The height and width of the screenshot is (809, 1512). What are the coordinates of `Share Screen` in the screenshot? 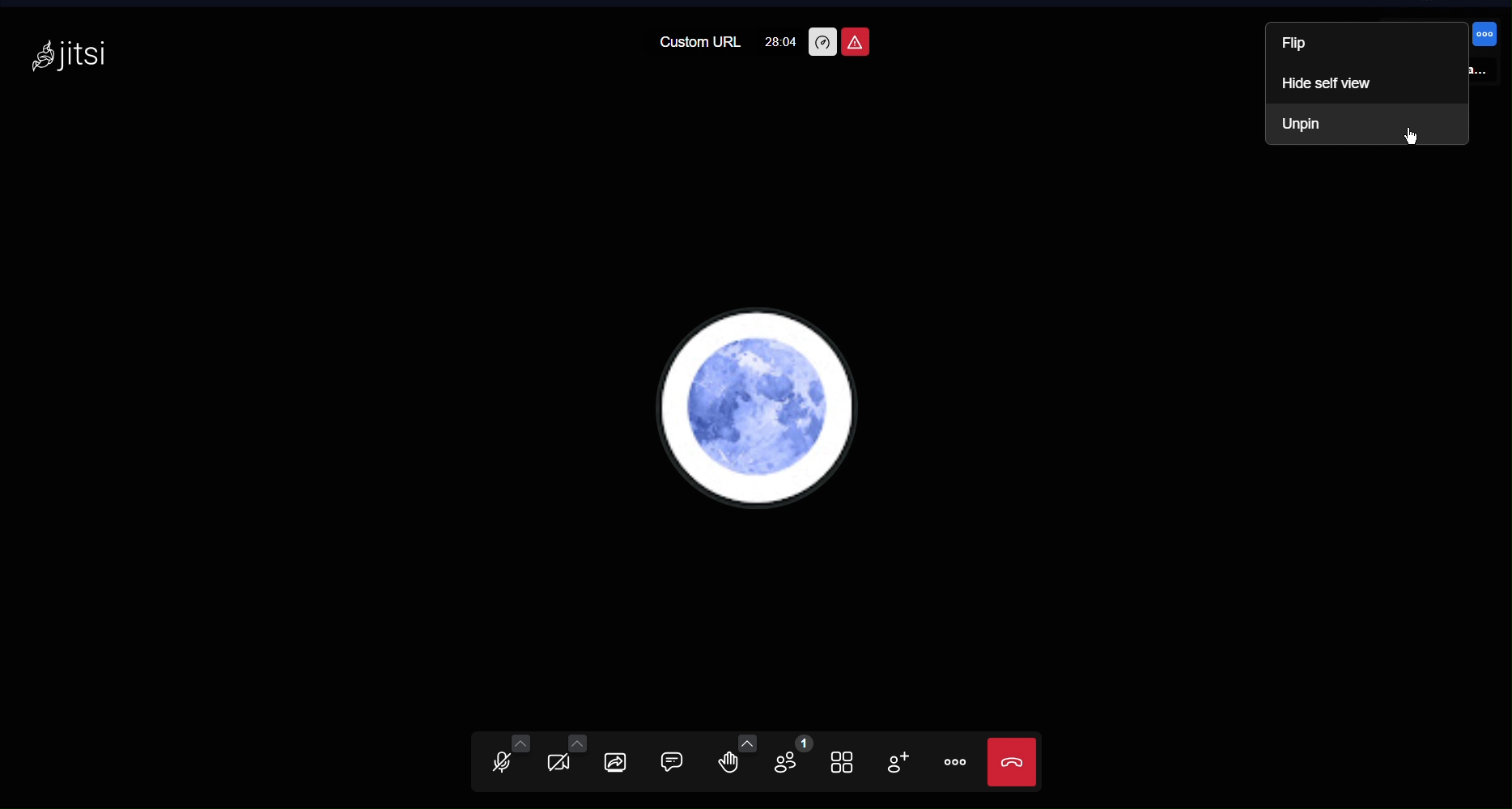 It's located at (625, 759).